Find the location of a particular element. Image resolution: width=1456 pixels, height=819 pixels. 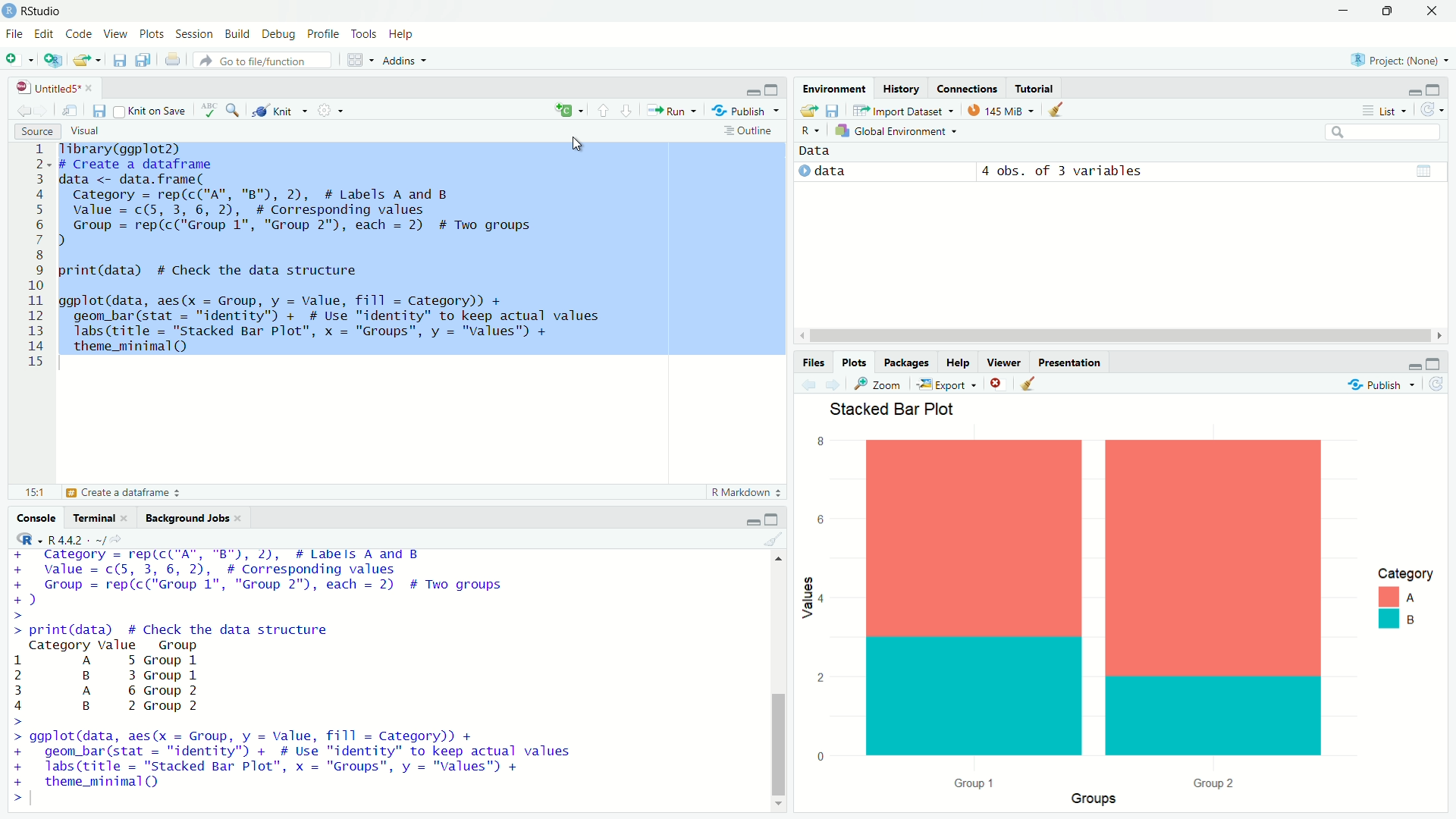

Find/Replace is located at coordinates (233, 108).